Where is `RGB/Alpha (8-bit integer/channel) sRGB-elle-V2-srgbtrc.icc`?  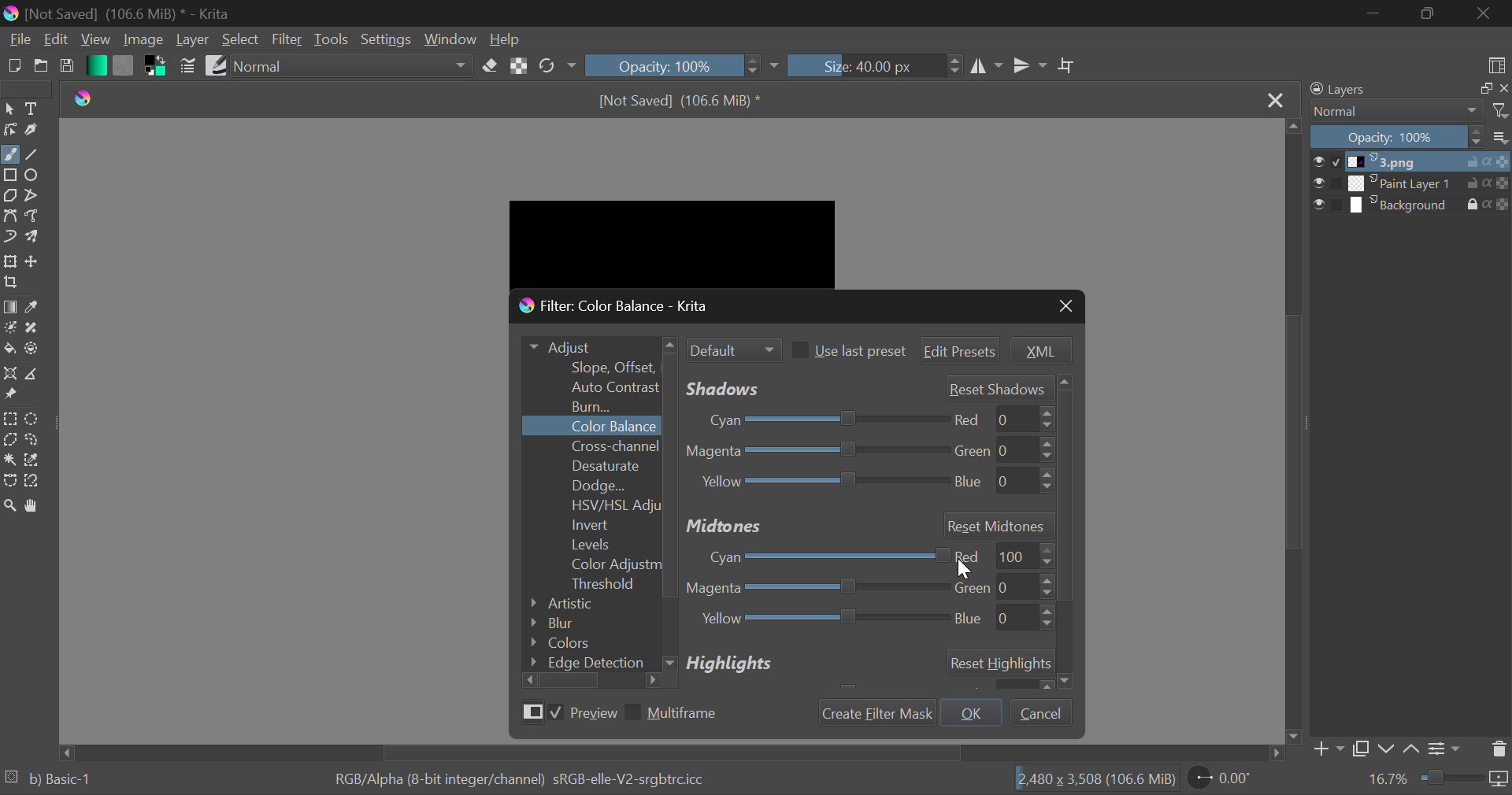
RGB/Alpha (8-bit integer/channel) sRGB-elle-V2-srgbtrc.icc is located at coordinates (532, 780).